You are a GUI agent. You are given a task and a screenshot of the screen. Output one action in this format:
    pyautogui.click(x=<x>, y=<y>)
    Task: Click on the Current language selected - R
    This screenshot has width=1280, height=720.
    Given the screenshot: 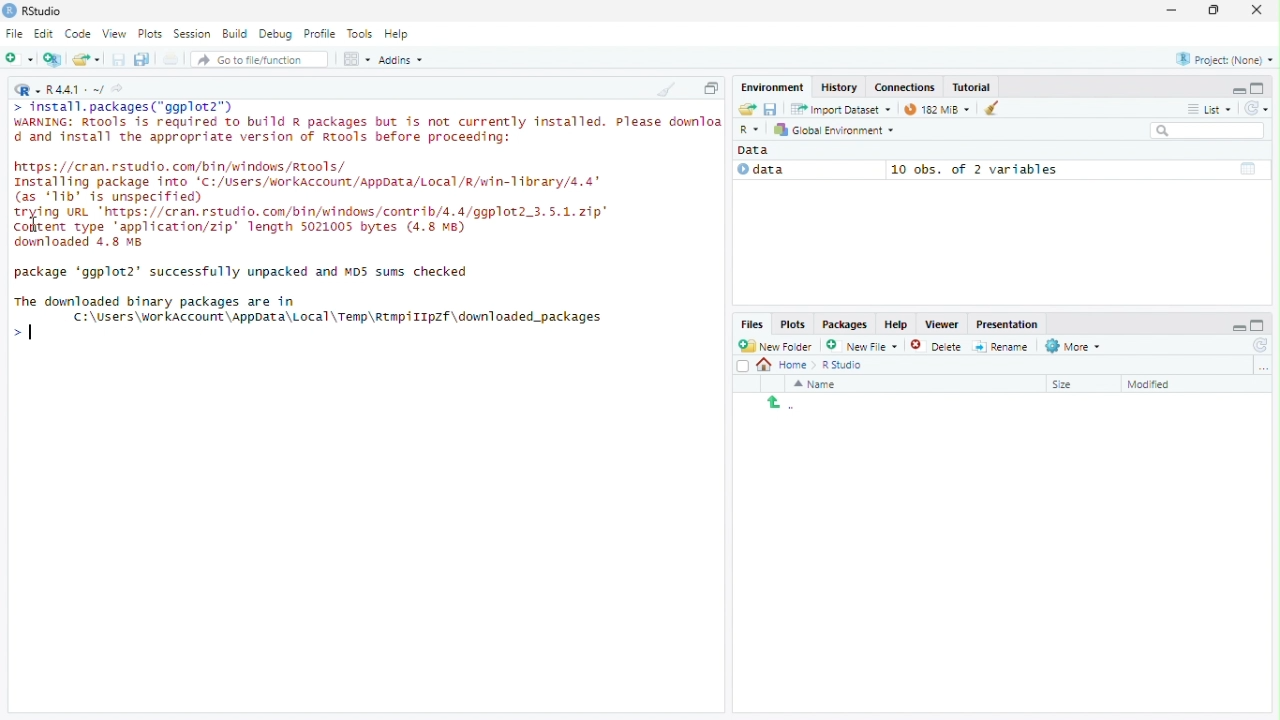 What is the action you would take?
    pyautogui.click(x=25, y=89)
    